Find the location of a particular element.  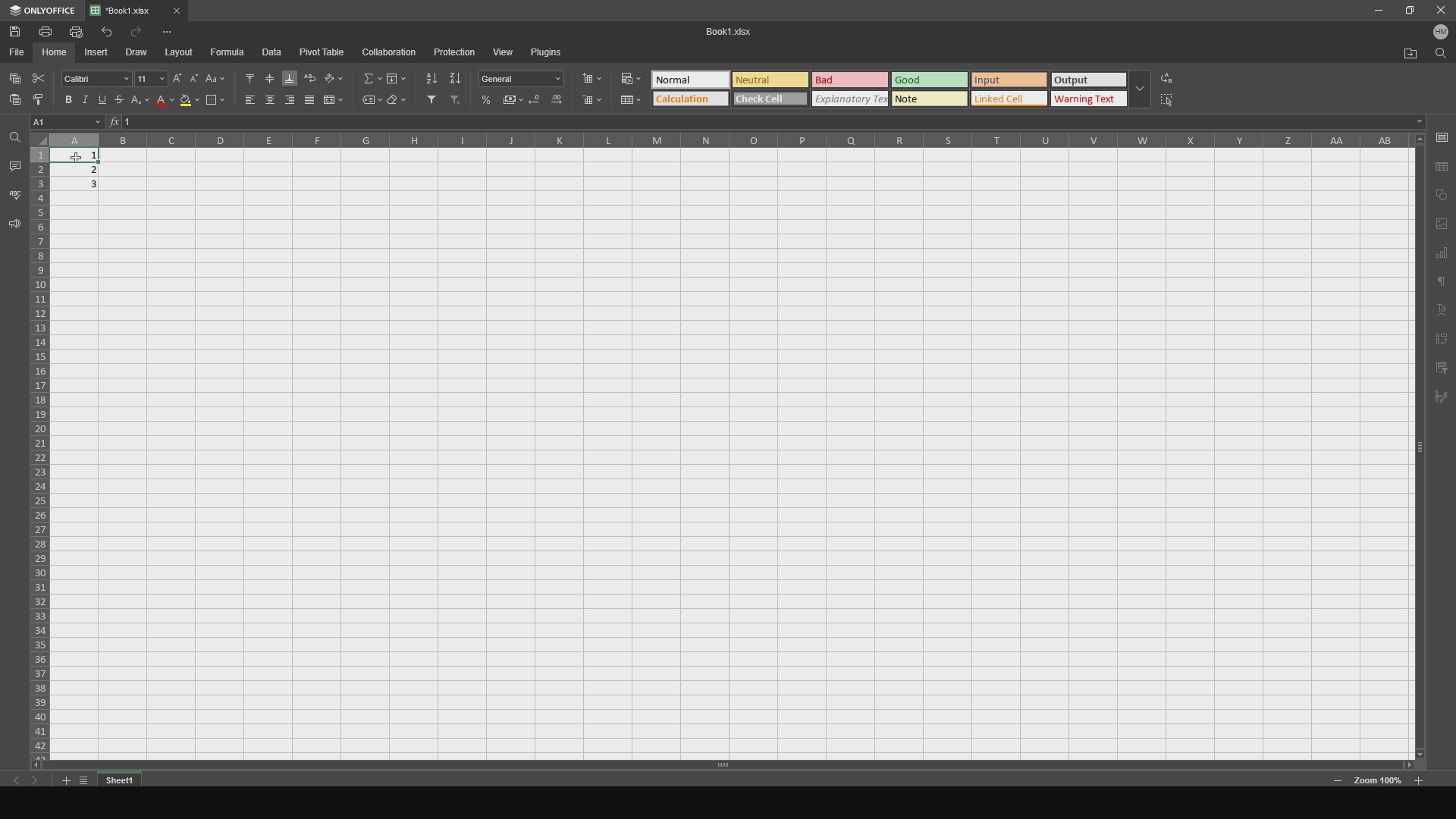

cursor is located at coordinates (73, 153).